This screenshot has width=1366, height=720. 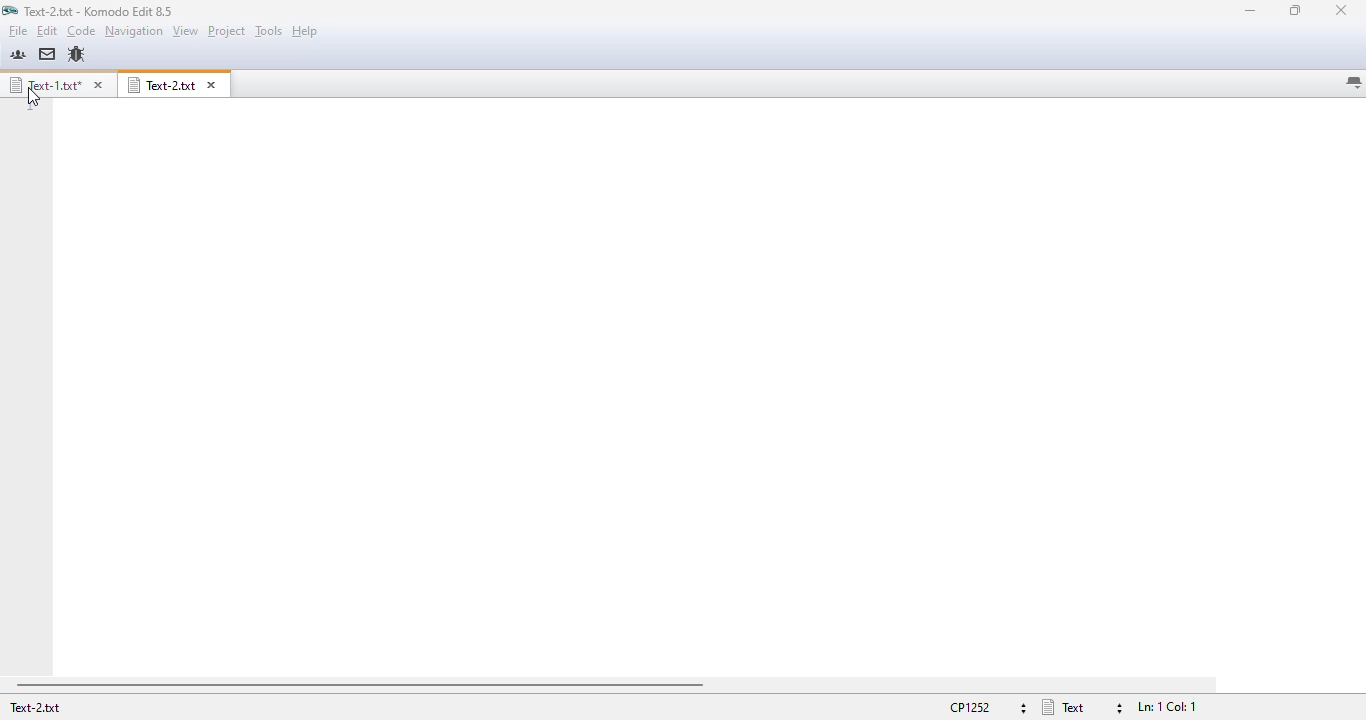 What do you see at coordinates (47, 31) in the screenshot?
I see `edit` at bounding box center [47, 31].